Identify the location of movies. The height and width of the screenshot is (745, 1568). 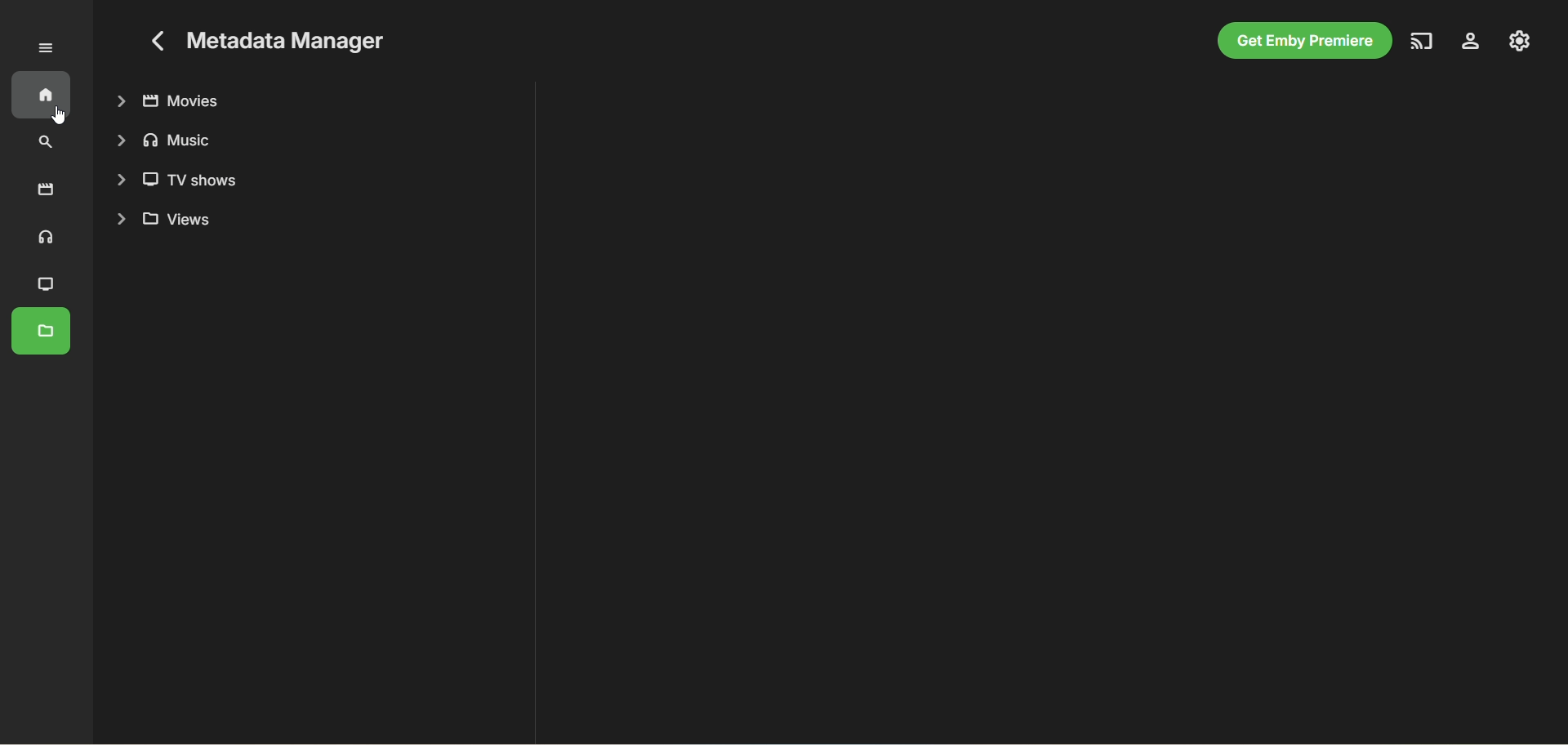
(166, 101).